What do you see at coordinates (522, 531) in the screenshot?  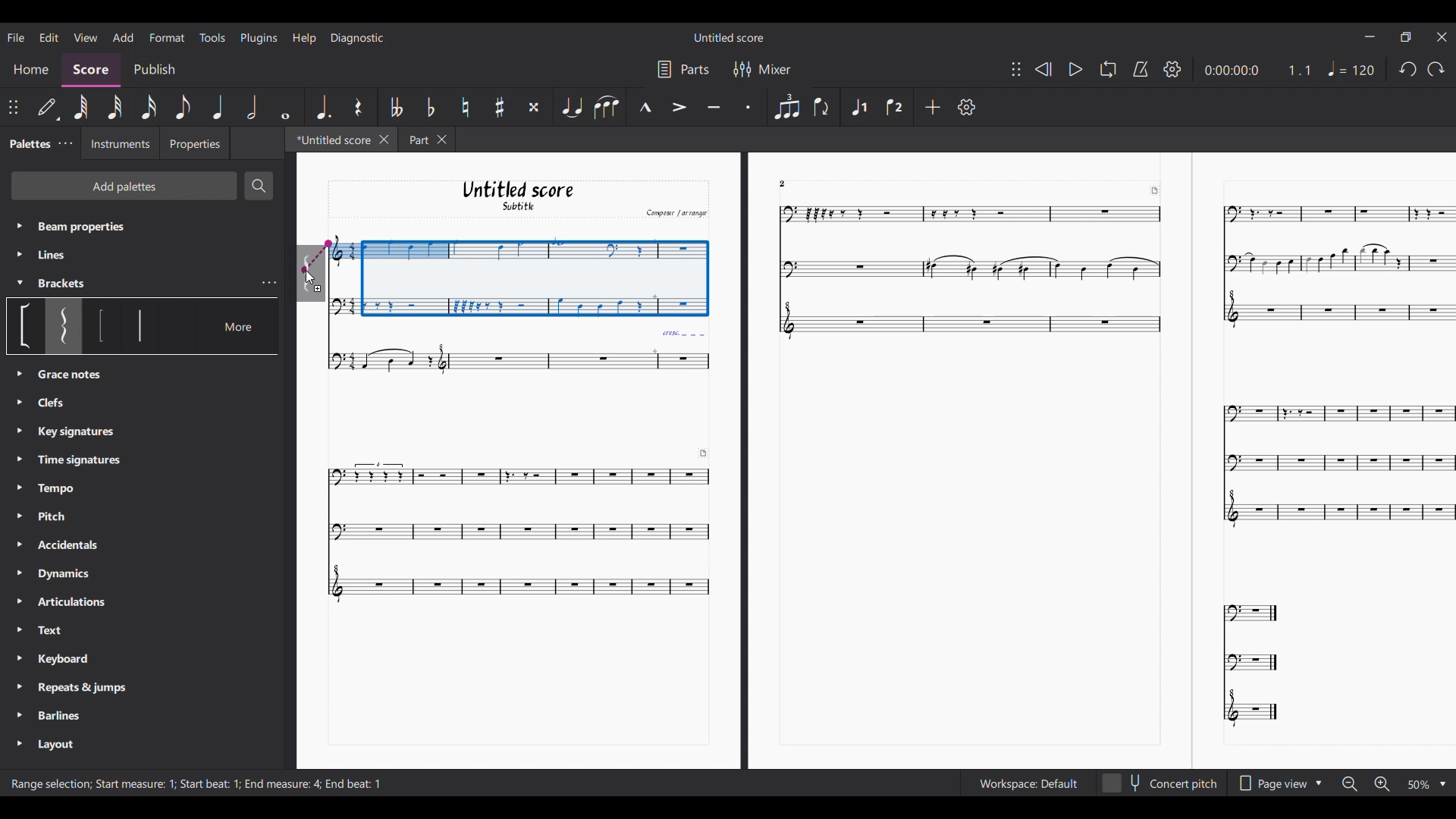 I see `` at bounding box center [522, 531].